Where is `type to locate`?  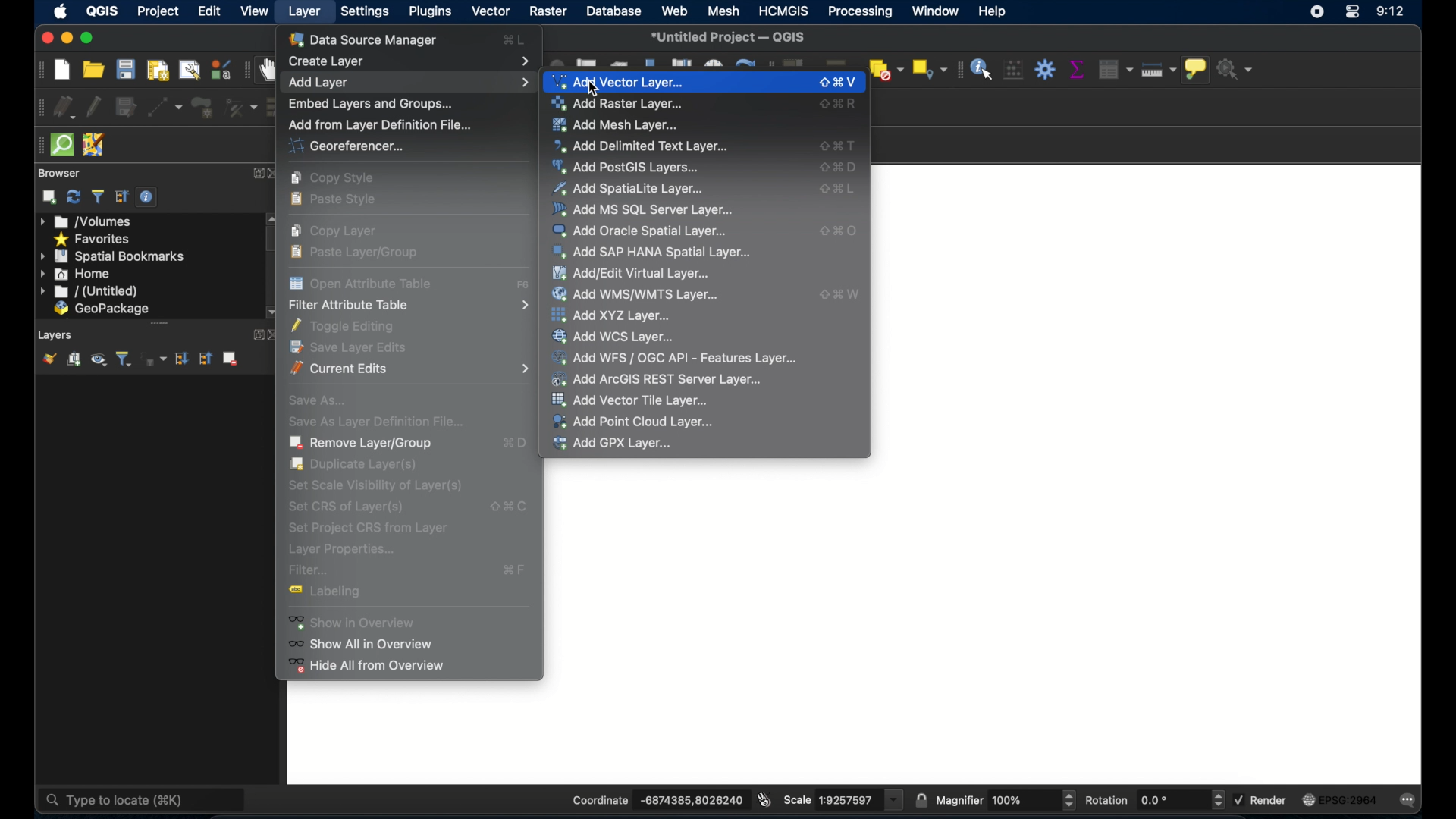
type to locate is located at coordinates (77, 799).